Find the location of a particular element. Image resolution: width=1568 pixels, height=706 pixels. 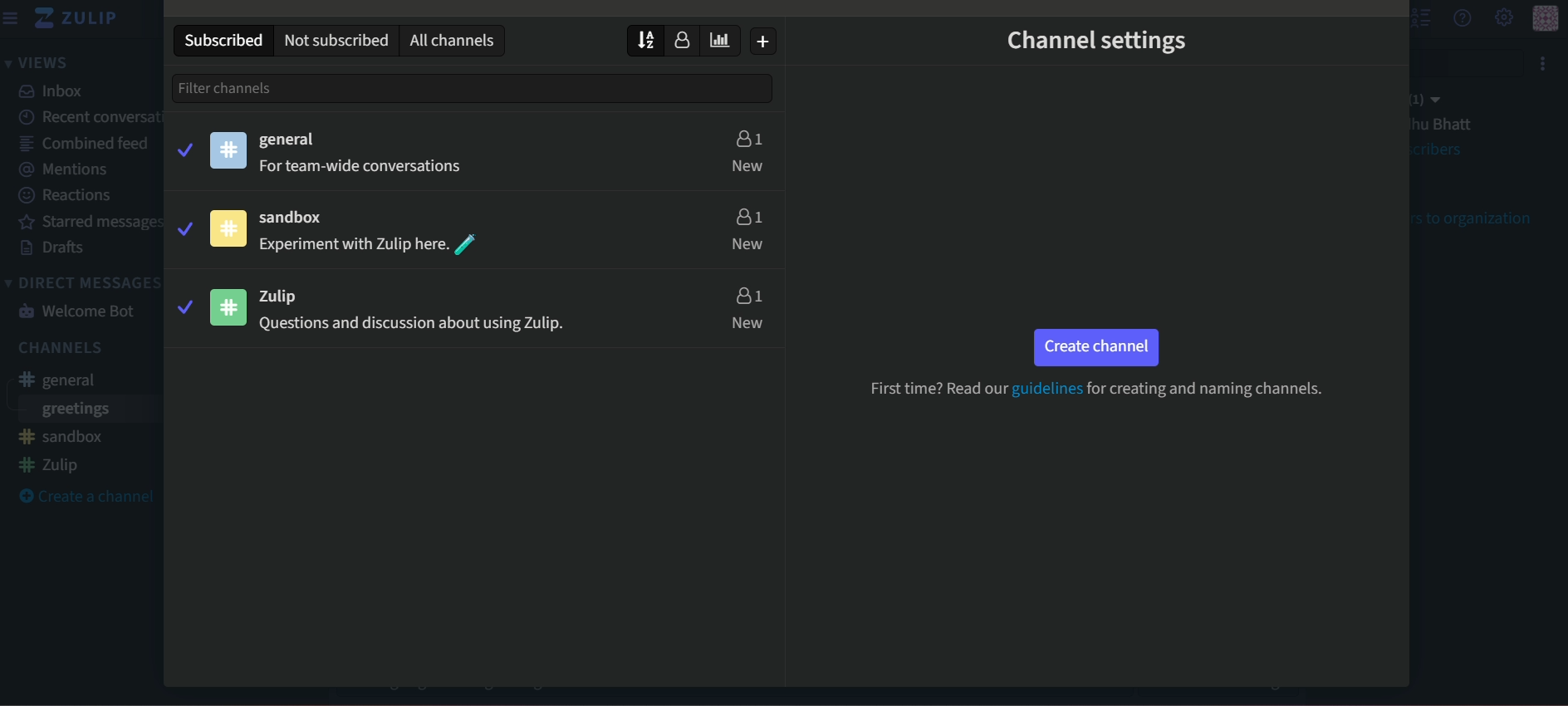

not subscribed is located at coordinates (336, 41).